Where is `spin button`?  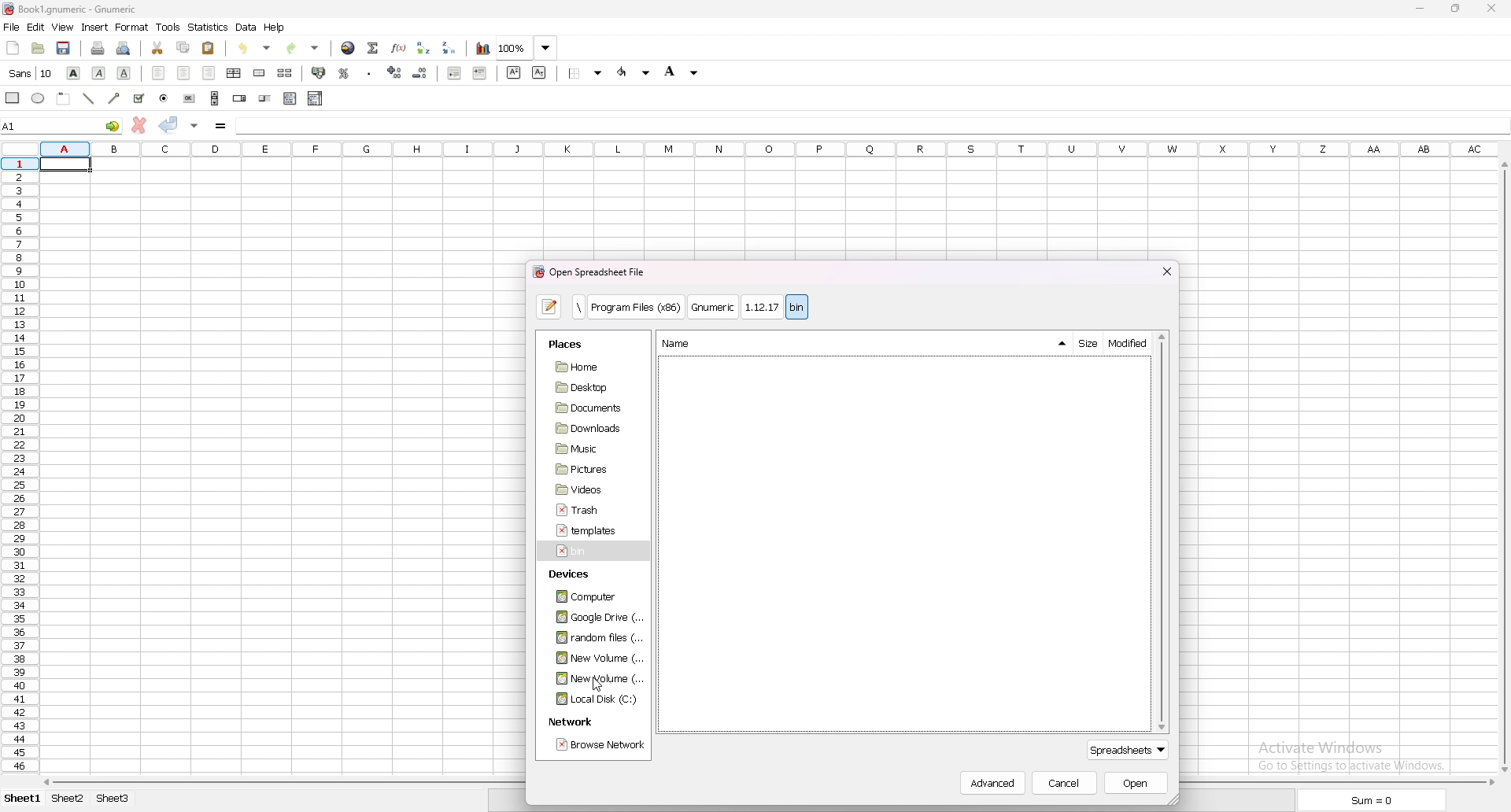
spin button is located at coordinates (241, 98).